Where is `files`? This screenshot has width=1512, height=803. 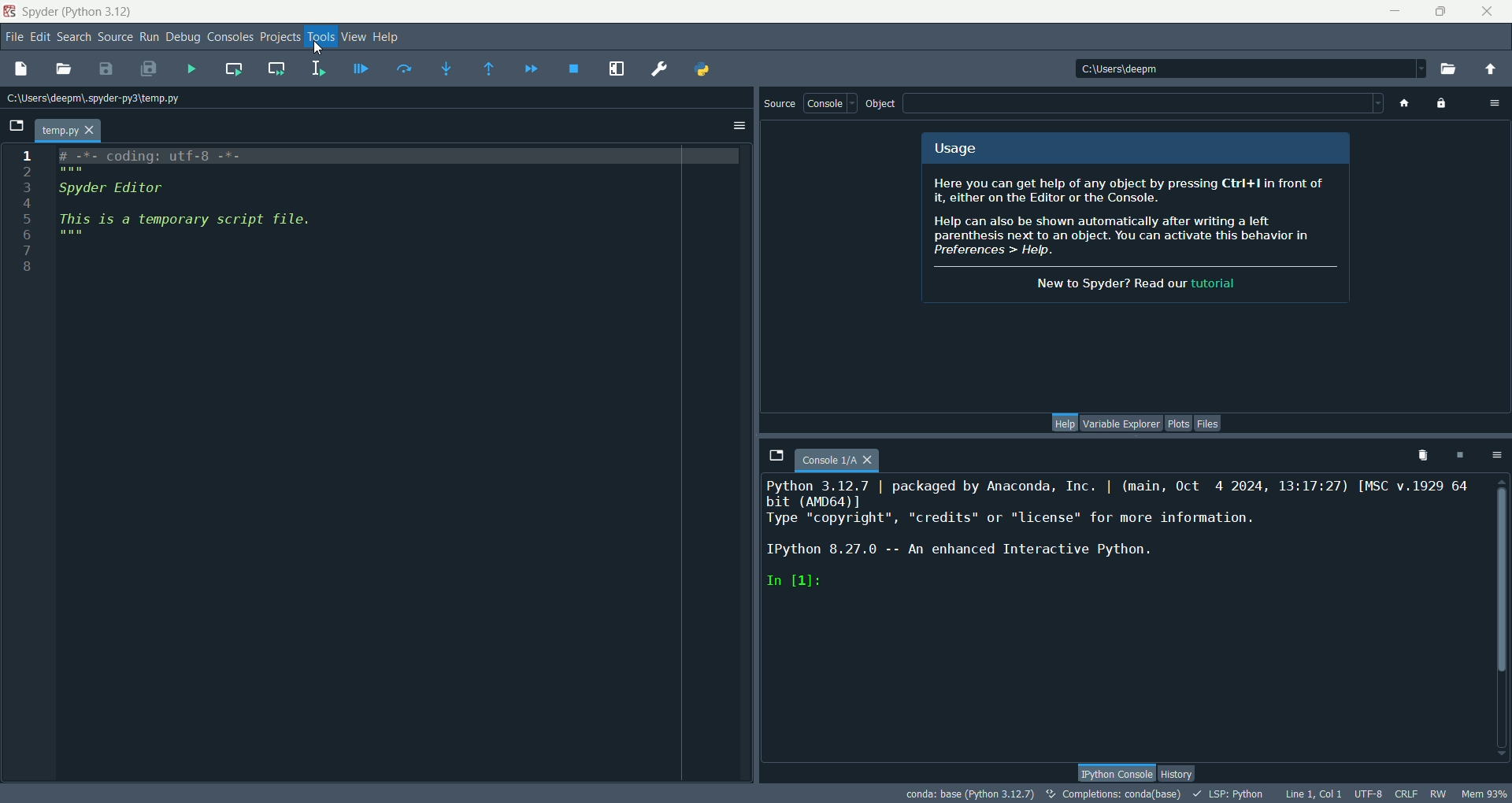 files is located at coordinates (1208, 424).